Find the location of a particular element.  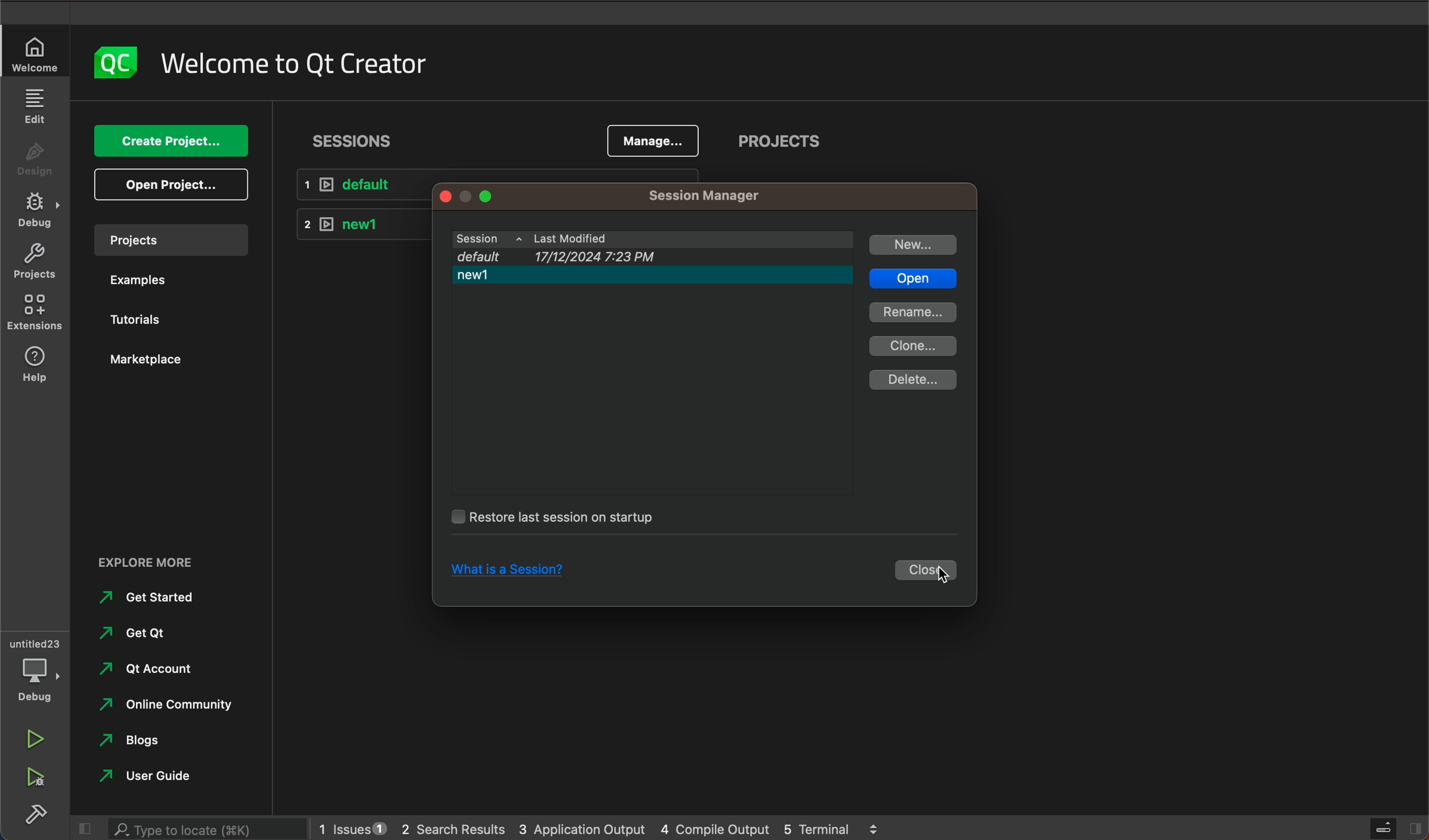

run debug is located at coordinates (32, 775).